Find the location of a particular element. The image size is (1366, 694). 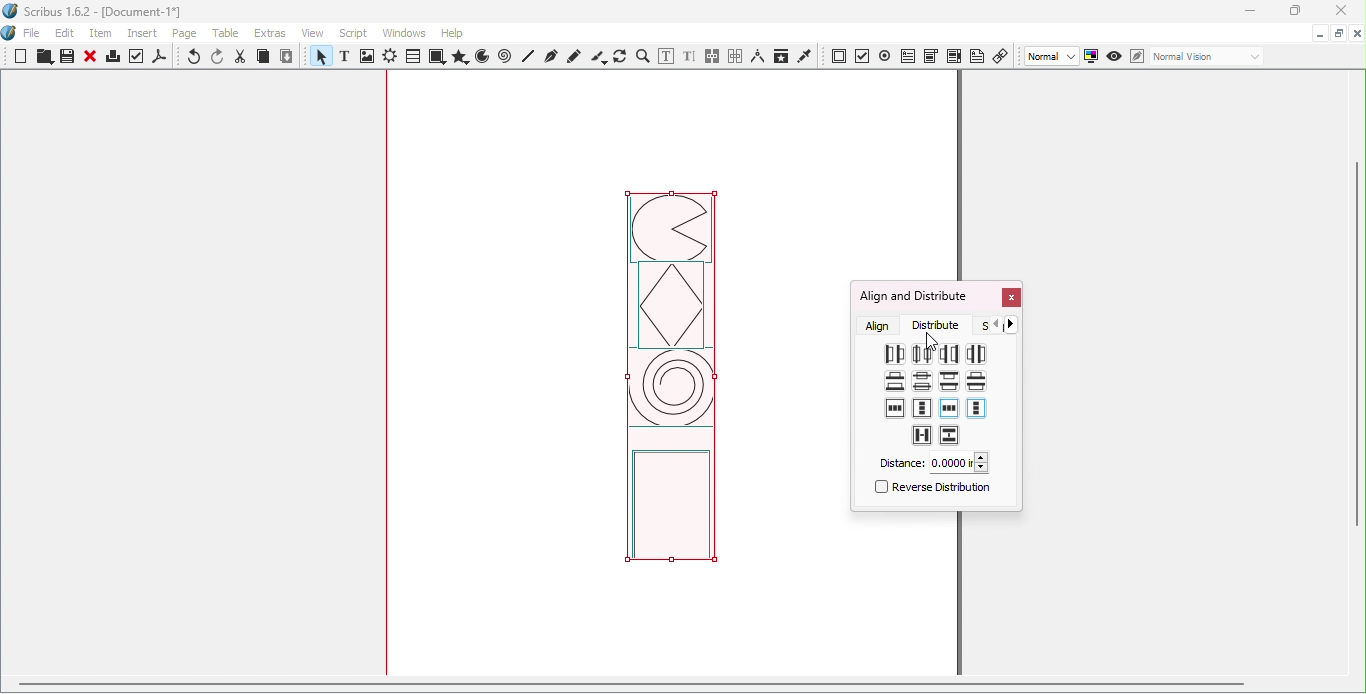

Make vertical gaps between items equal to the value specified is located at coordinates (950, 436).